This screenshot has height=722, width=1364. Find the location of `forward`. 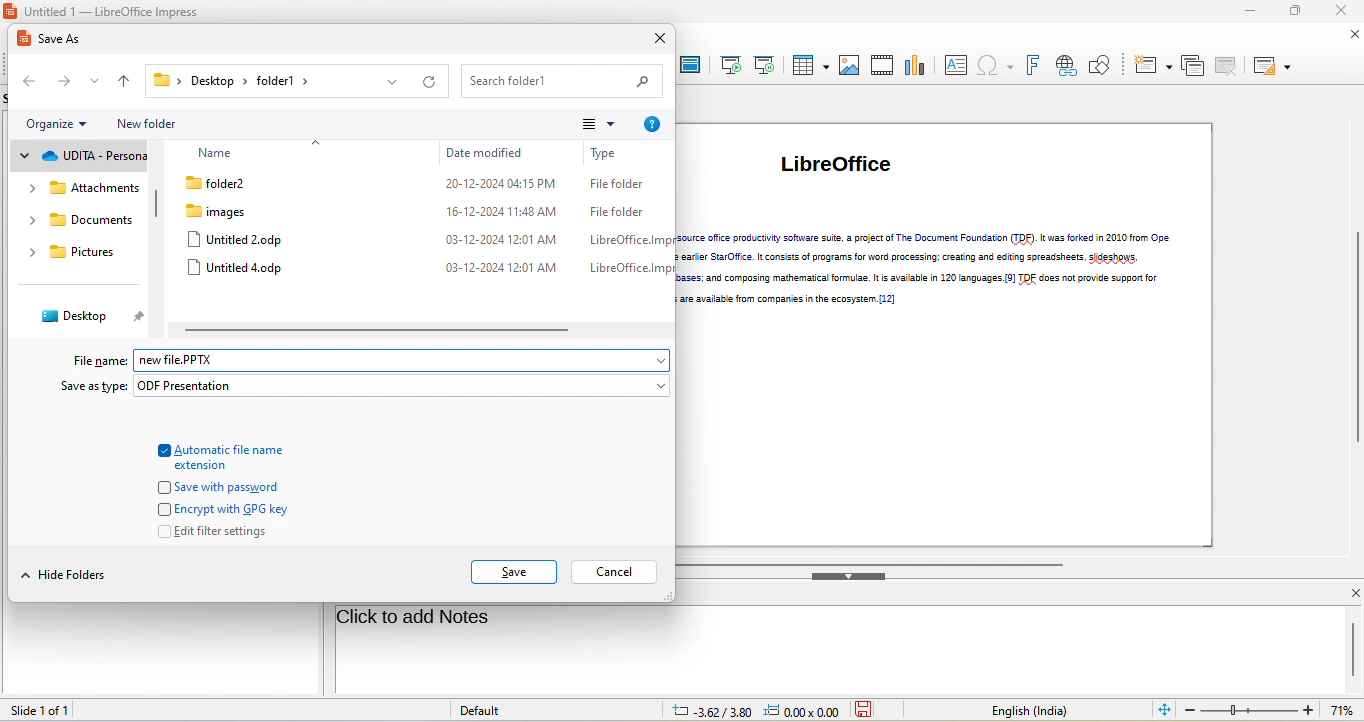

forward is located at coordinates (62, 80).